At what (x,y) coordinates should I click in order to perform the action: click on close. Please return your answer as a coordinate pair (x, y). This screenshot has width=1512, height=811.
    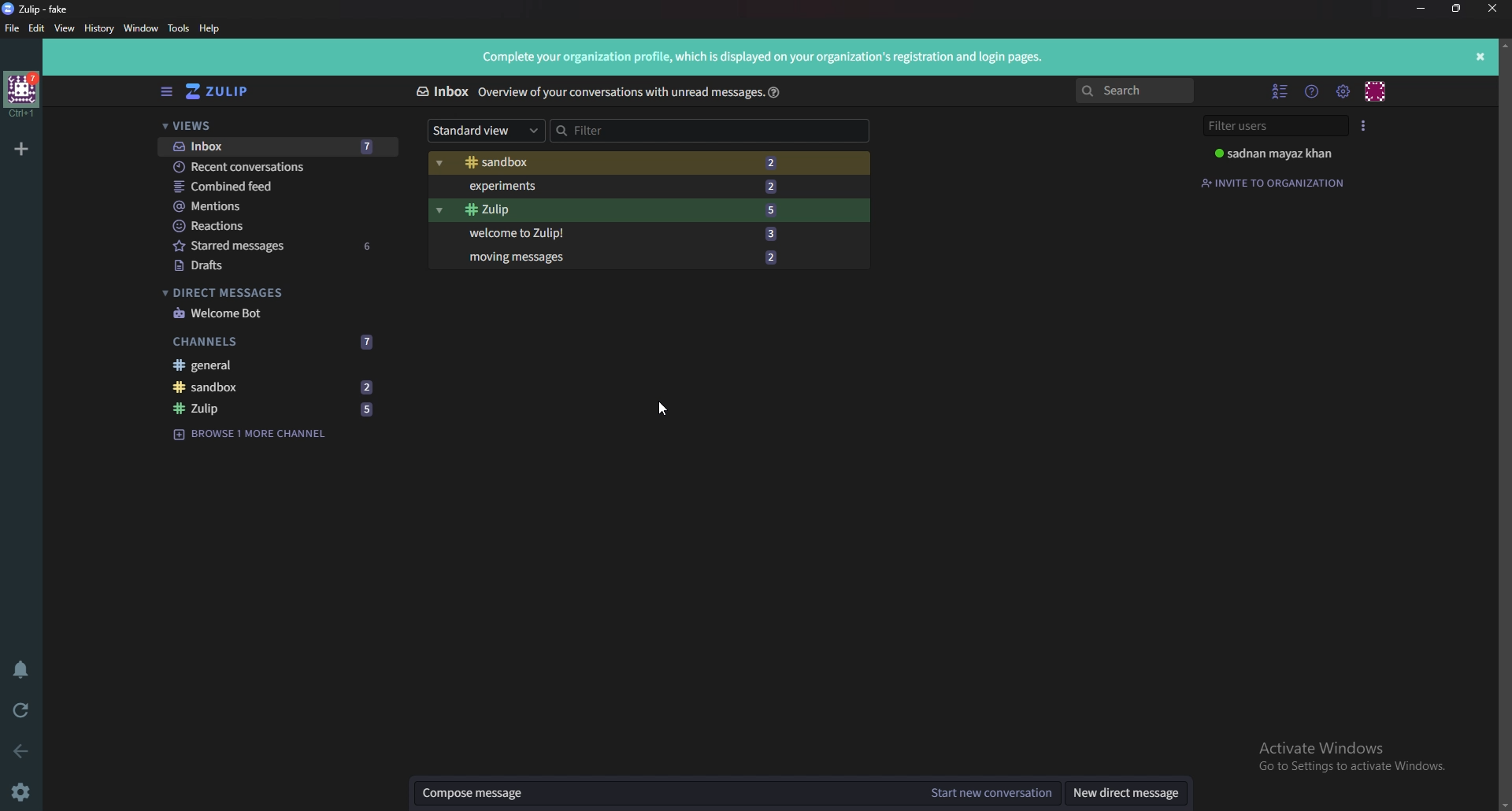
    Looking at the image, I should click on (1493, 7).